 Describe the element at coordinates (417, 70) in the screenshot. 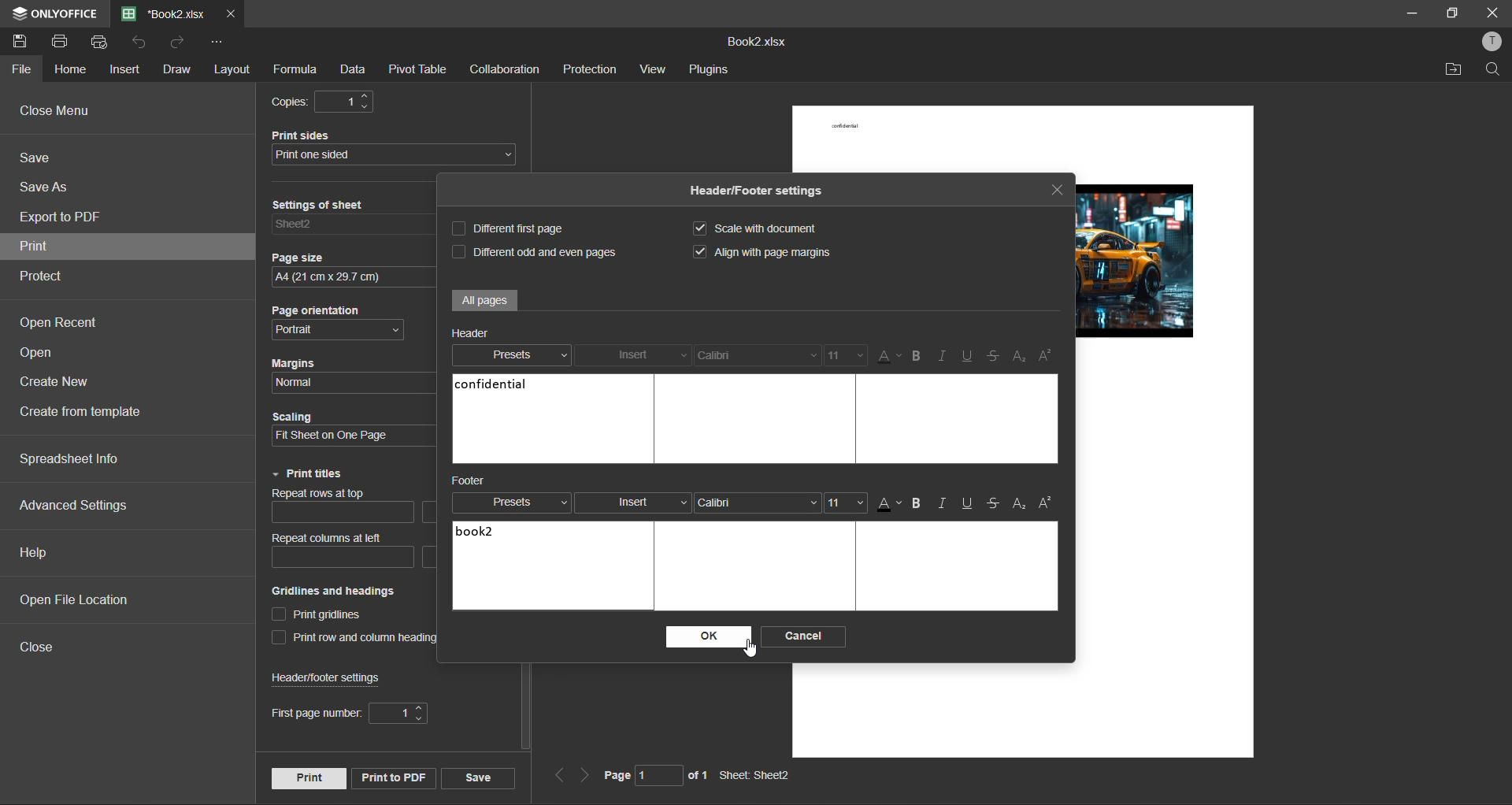

I see `pivot table` at that location.